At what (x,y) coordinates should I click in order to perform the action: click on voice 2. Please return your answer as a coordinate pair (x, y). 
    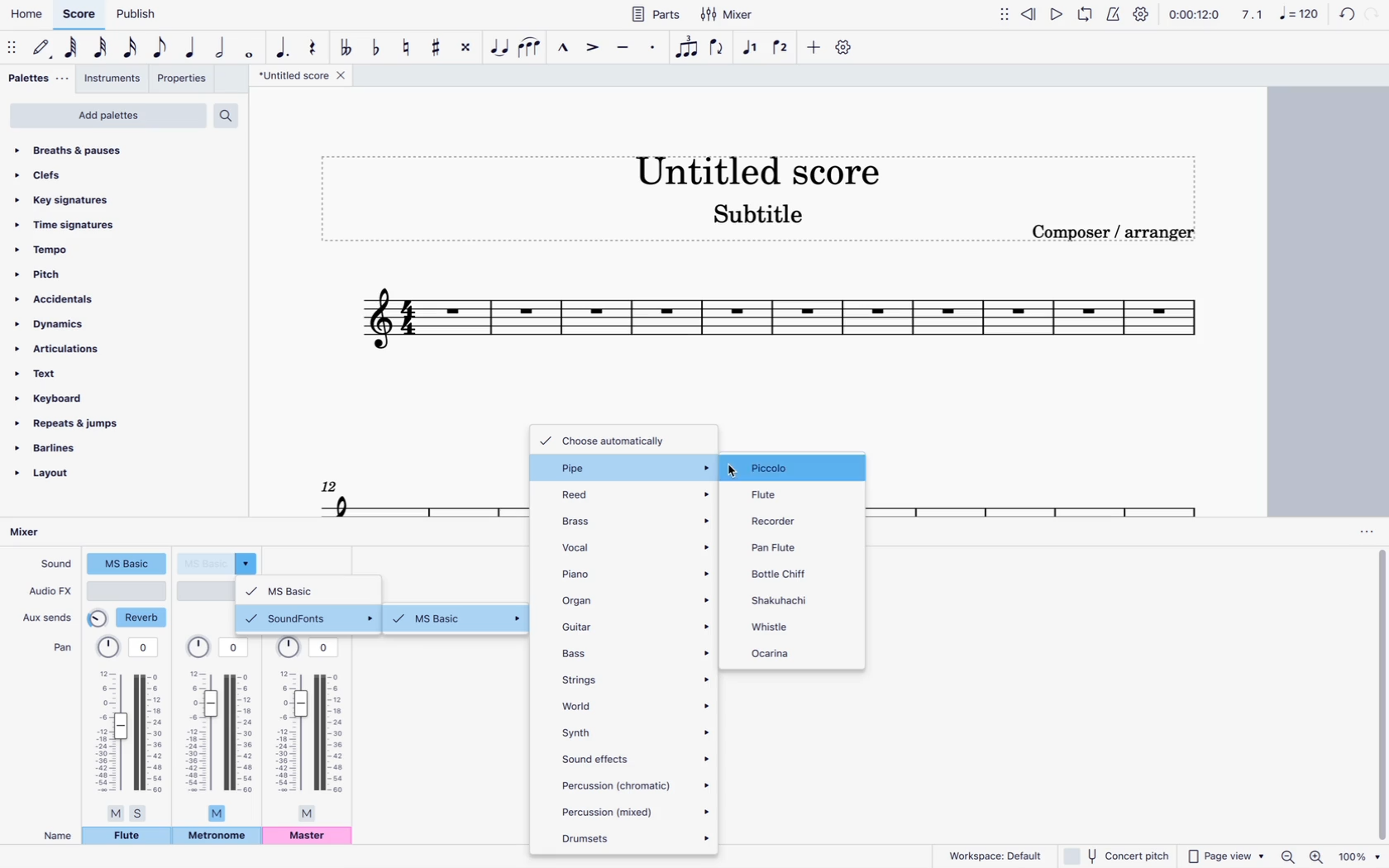
    Looking at the image, I should click on (782, 50).